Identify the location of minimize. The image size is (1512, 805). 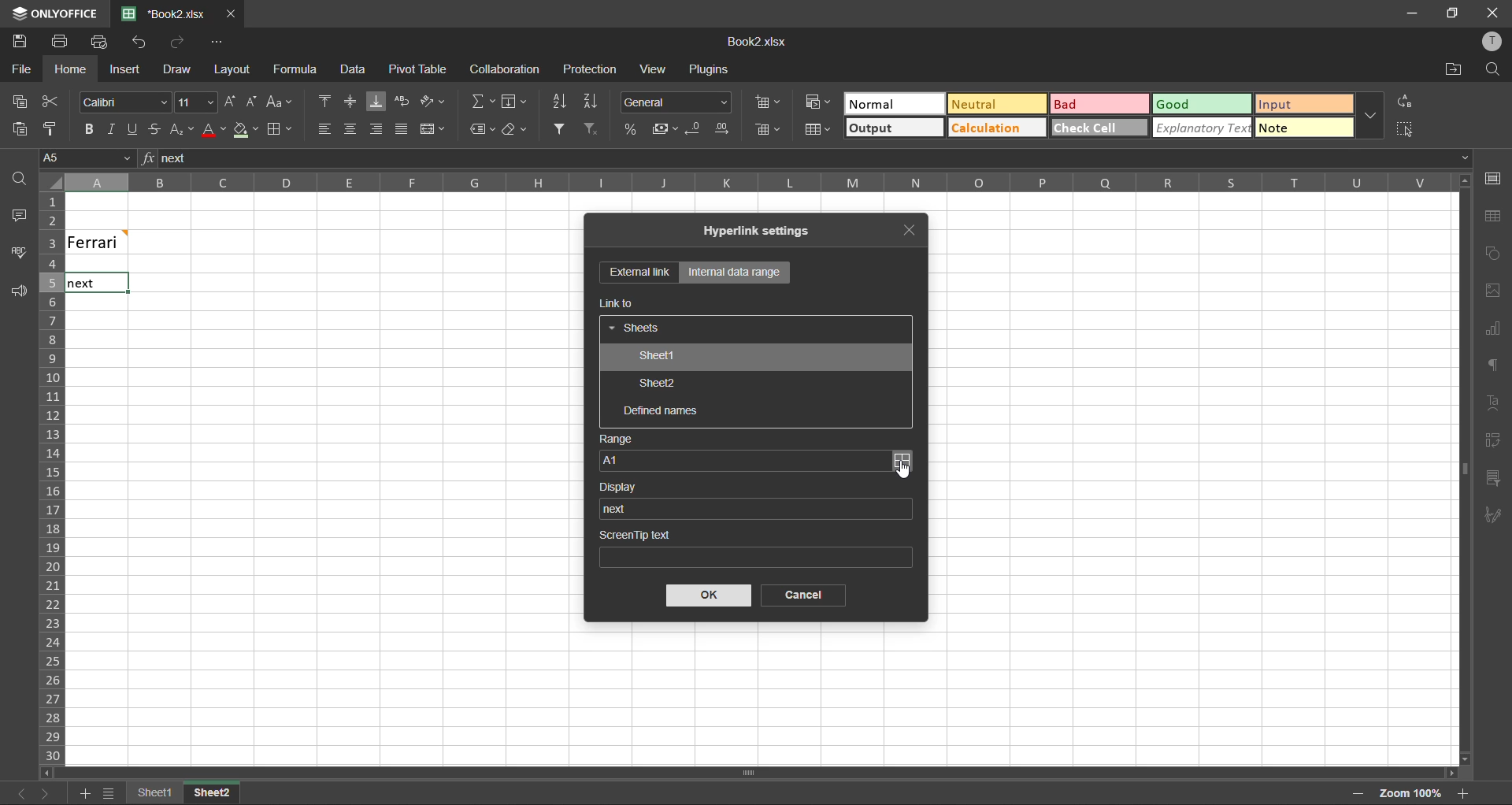
(1407, 13).